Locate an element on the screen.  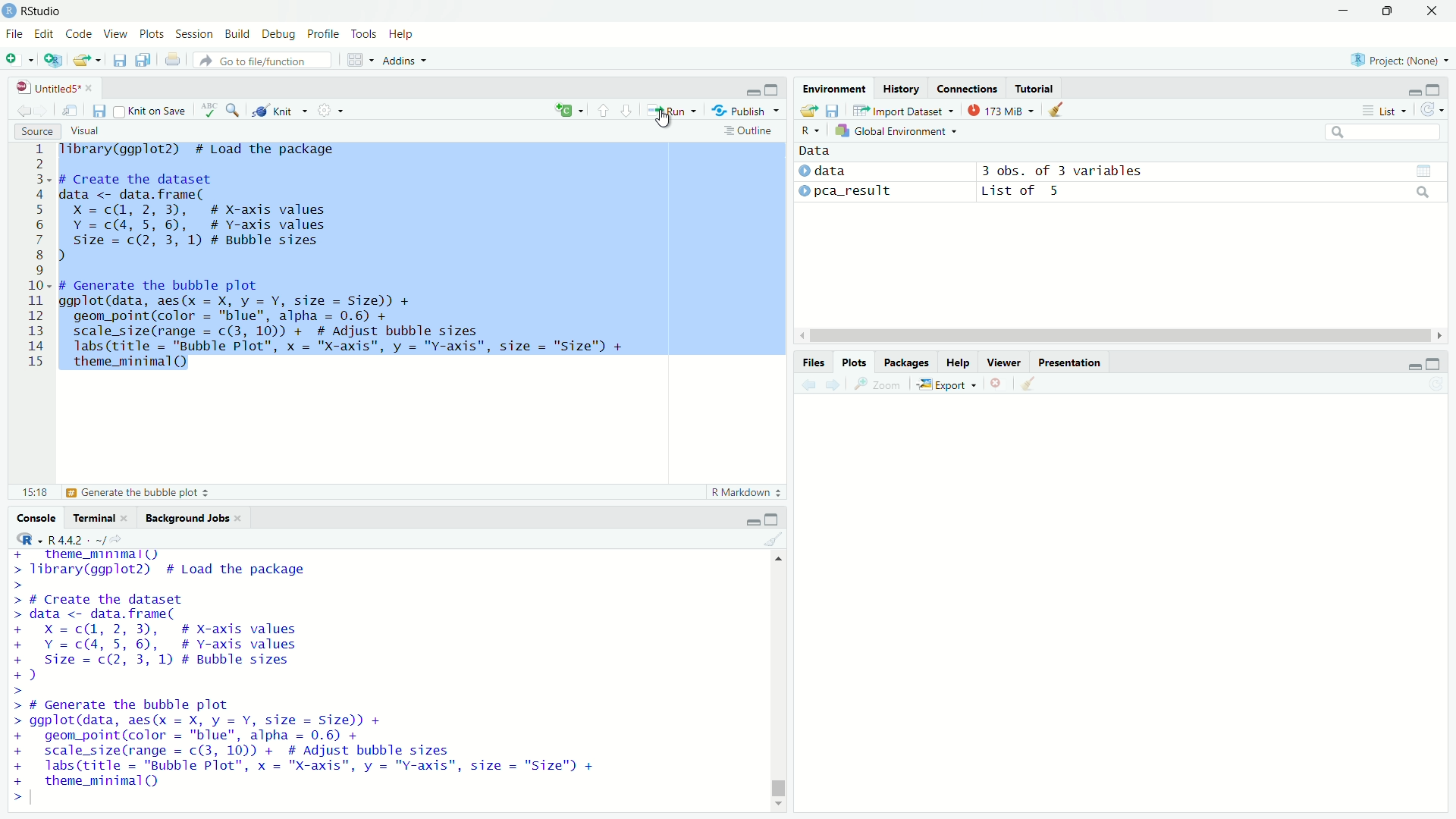
tutorial is located at coordinates (1036, 88).